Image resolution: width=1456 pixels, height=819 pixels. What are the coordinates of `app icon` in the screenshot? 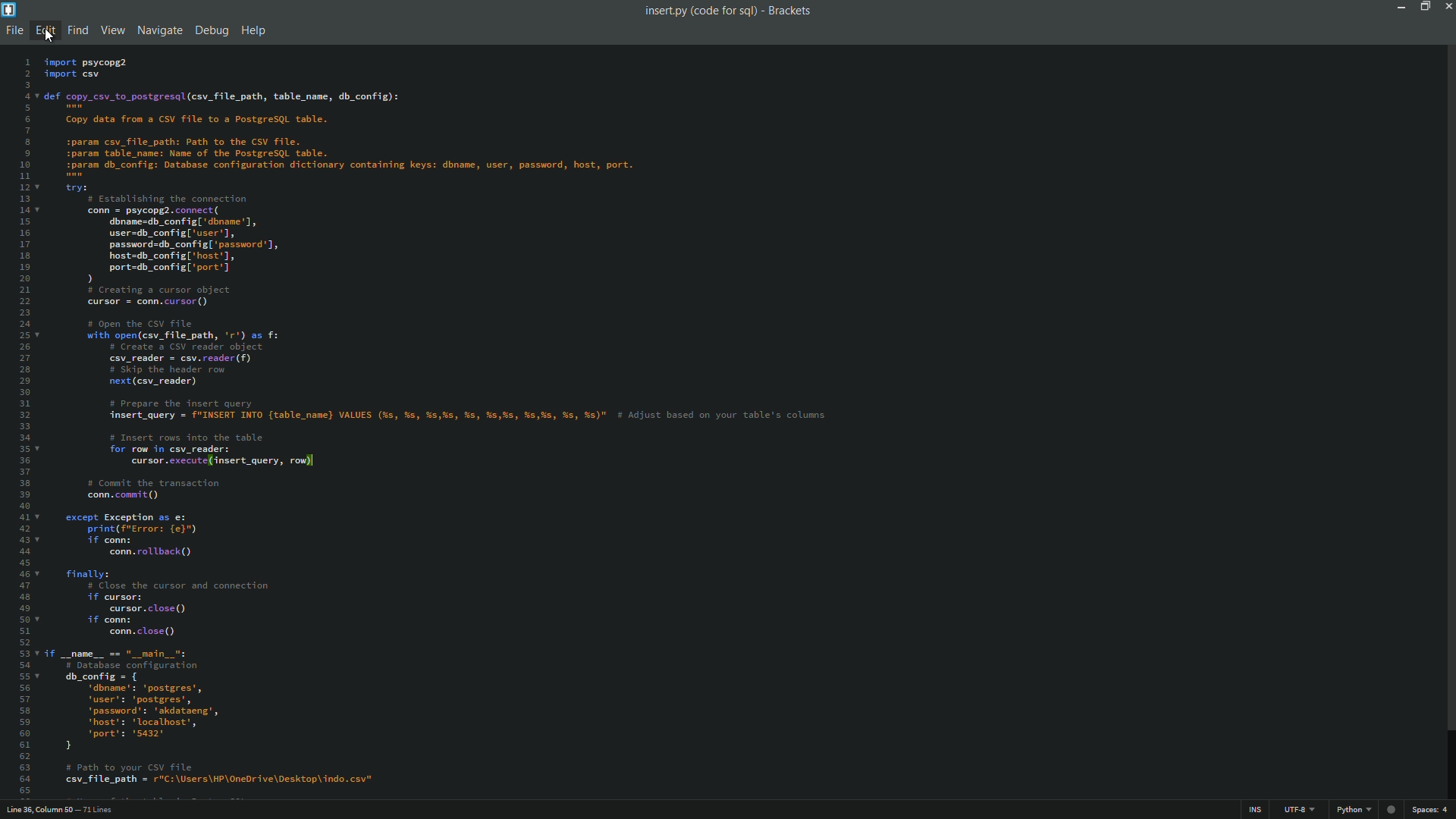 It's located at (9, 9).